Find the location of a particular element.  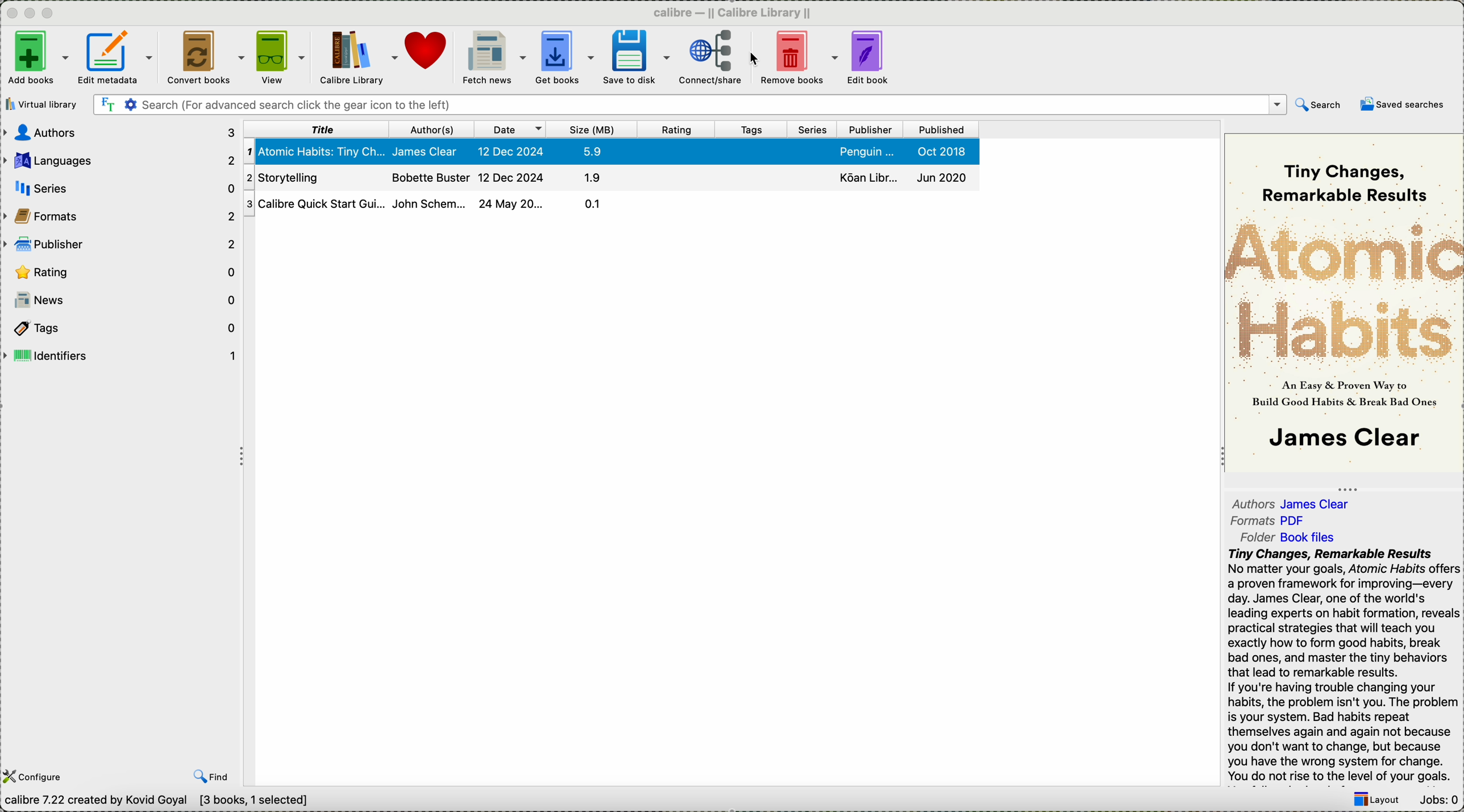

date is located at coordinates (510, 130).